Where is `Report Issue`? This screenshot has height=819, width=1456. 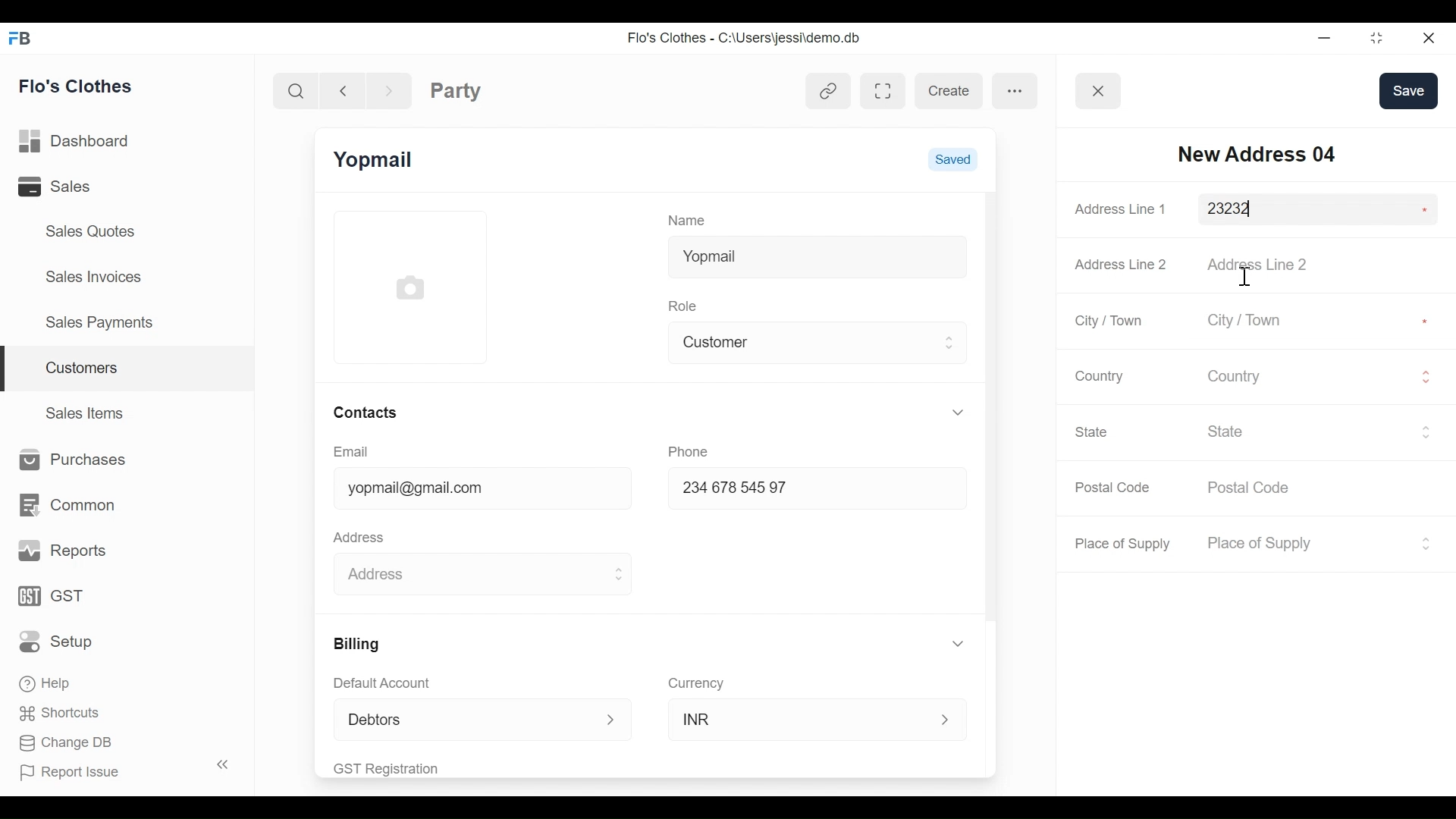 Report Issue is located at coordinates (117, 769).